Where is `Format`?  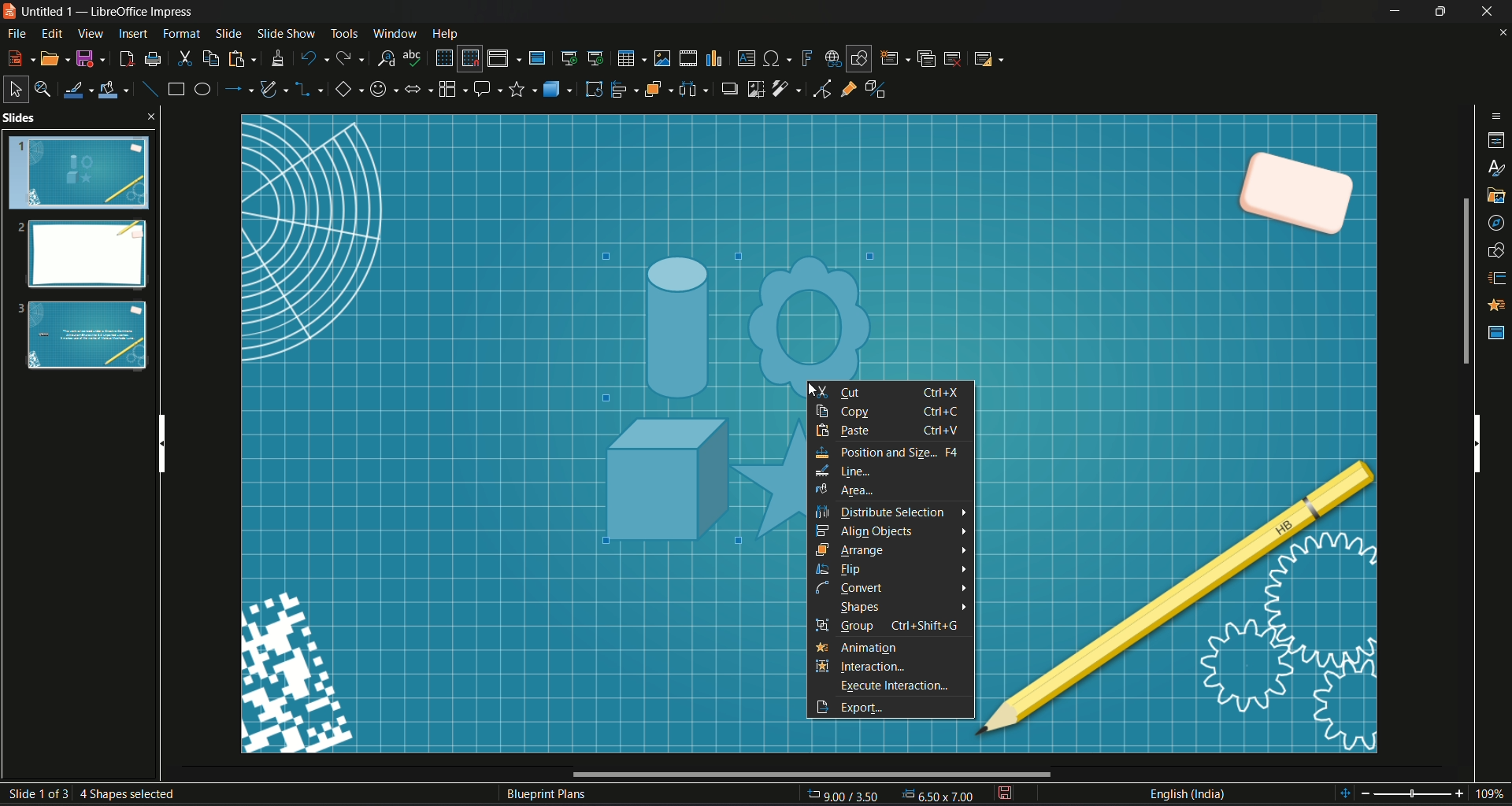 Format is located at coordinates (182, 34).